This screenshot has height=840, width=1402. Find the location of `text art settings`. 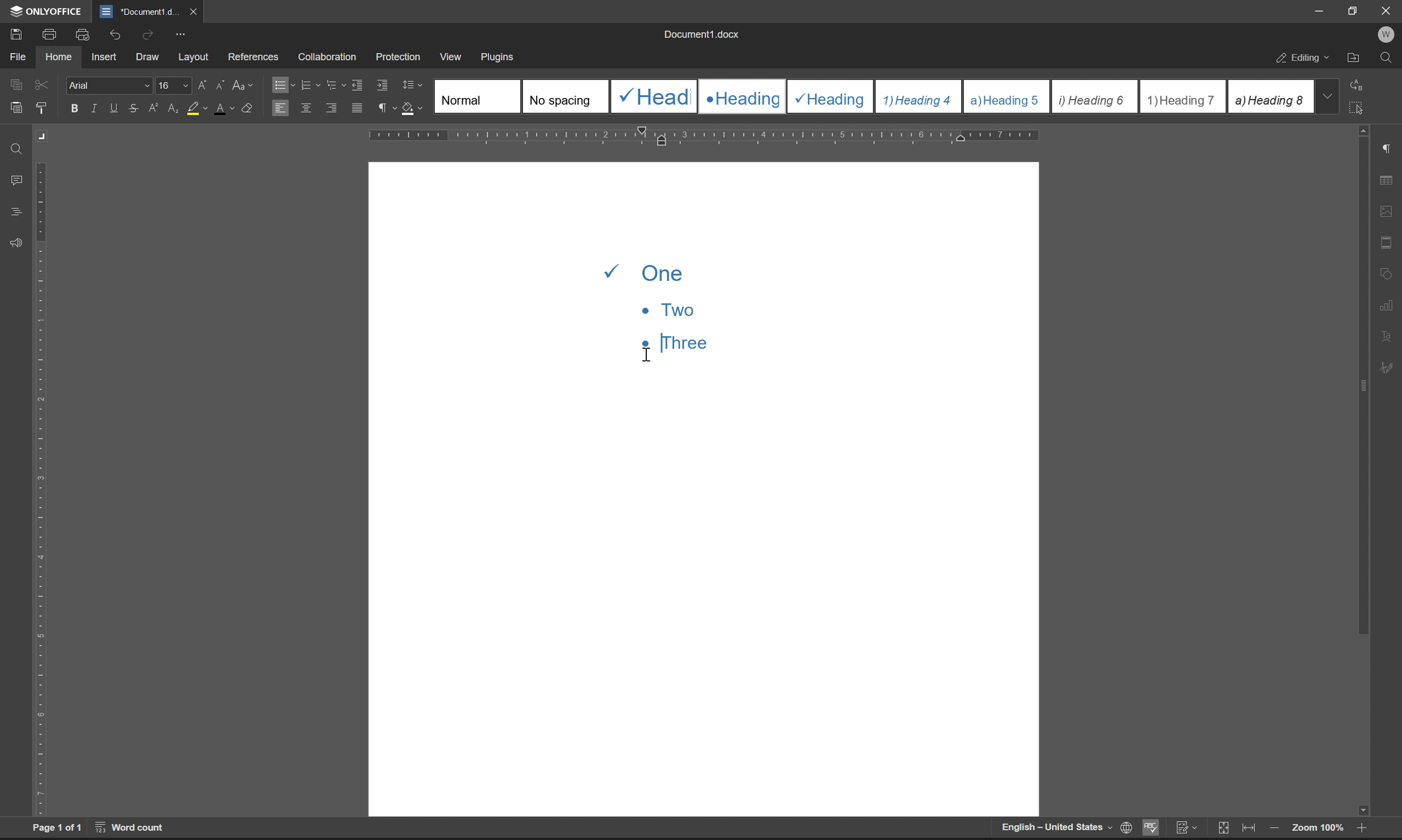

text art settings is located at coordinates (1386, 336).